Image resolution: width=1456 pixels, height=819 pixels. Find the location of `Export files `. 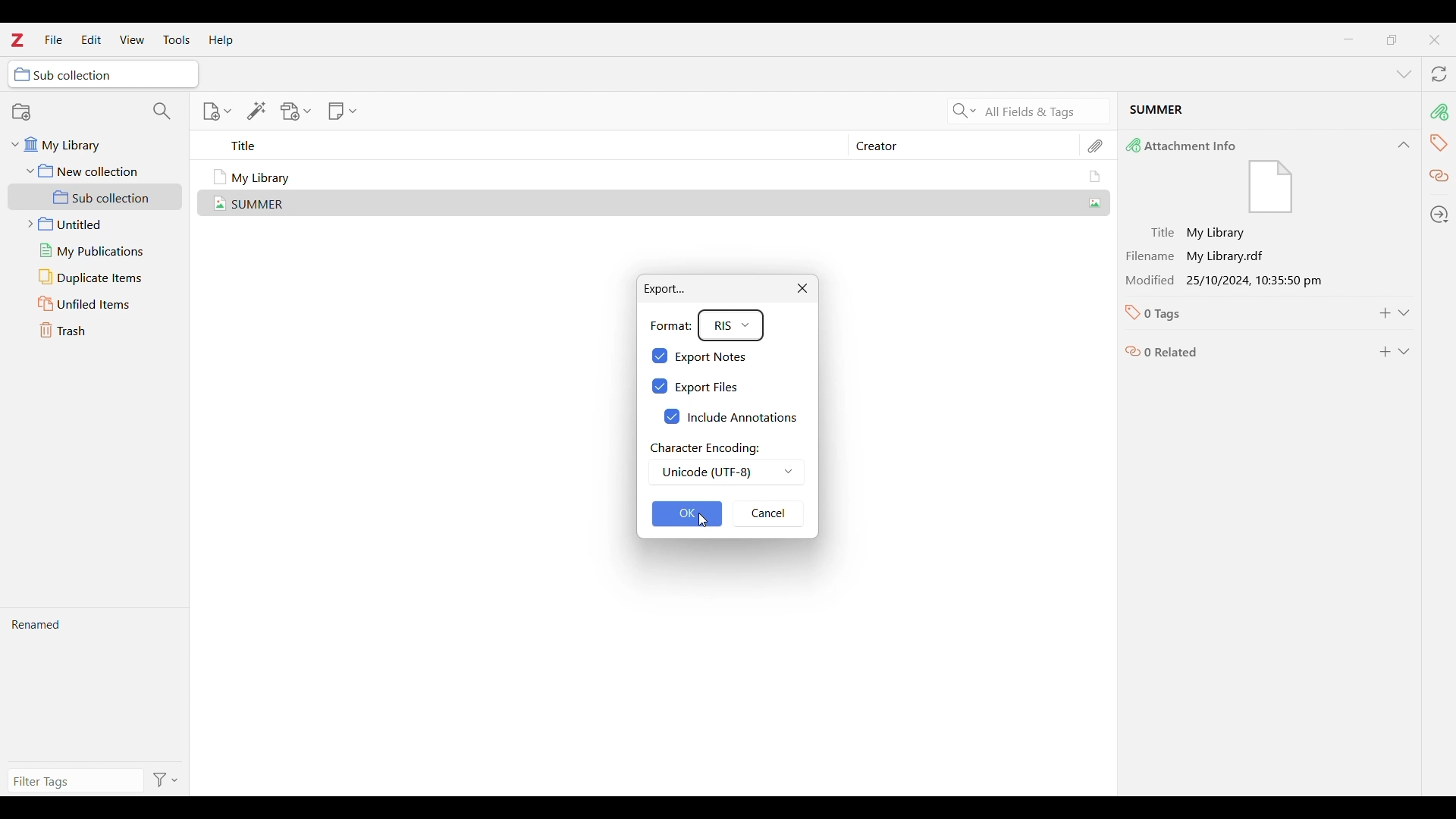

Export files  is located at coordinates (740, 386).